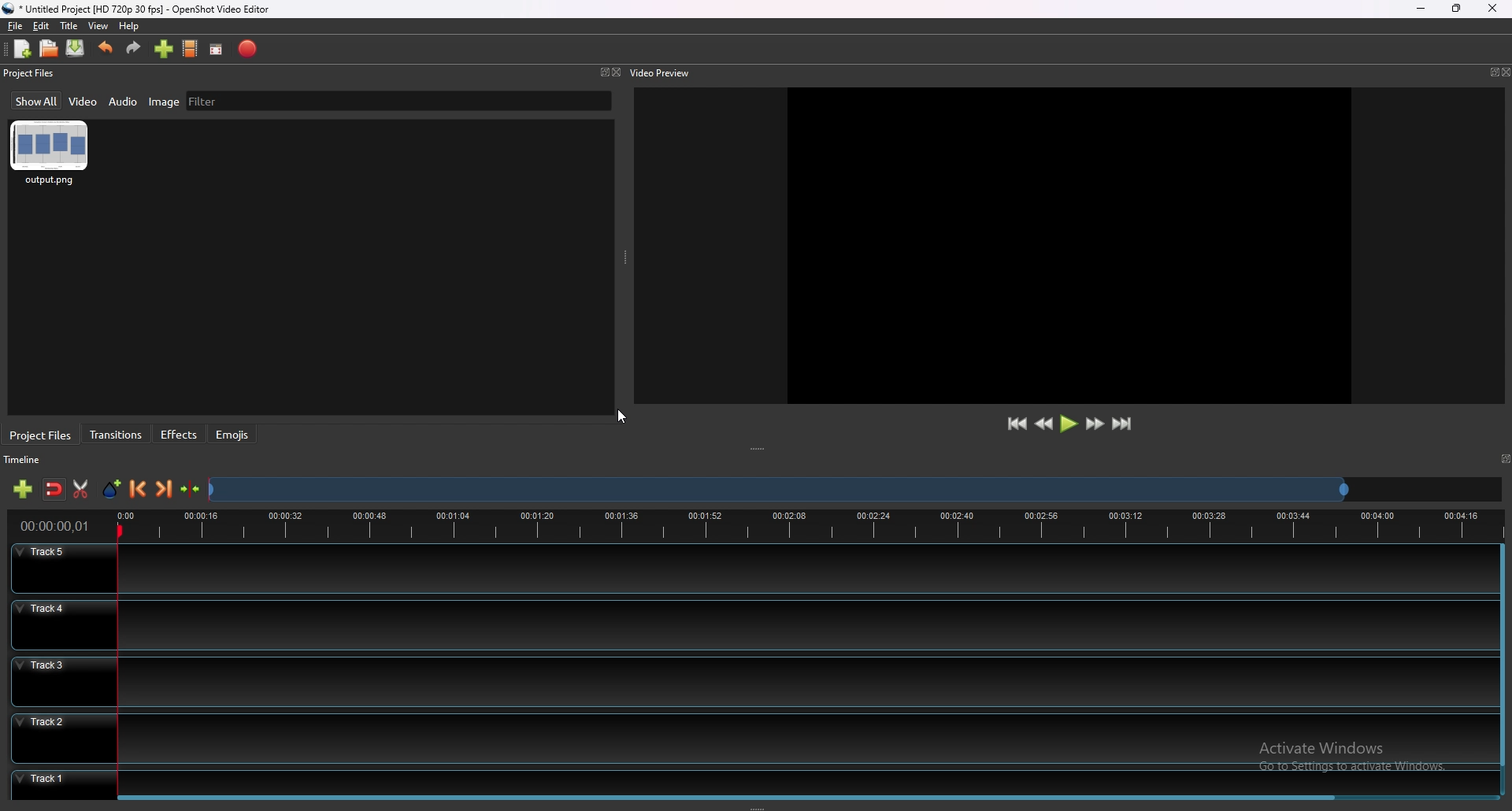  I want to click on next marker, so click(165, 488).